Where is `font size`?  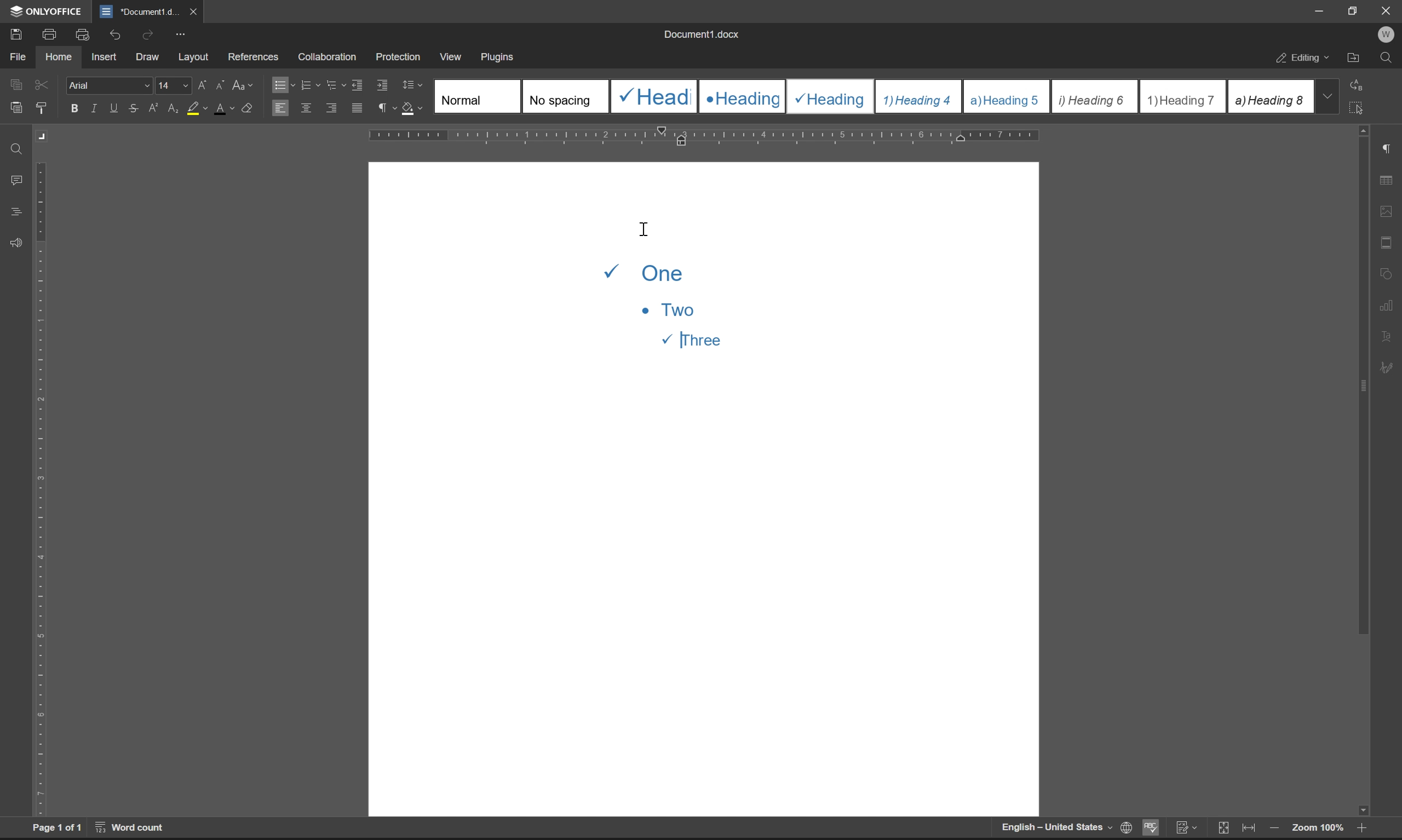 font size is located at coordinates (171, 84).